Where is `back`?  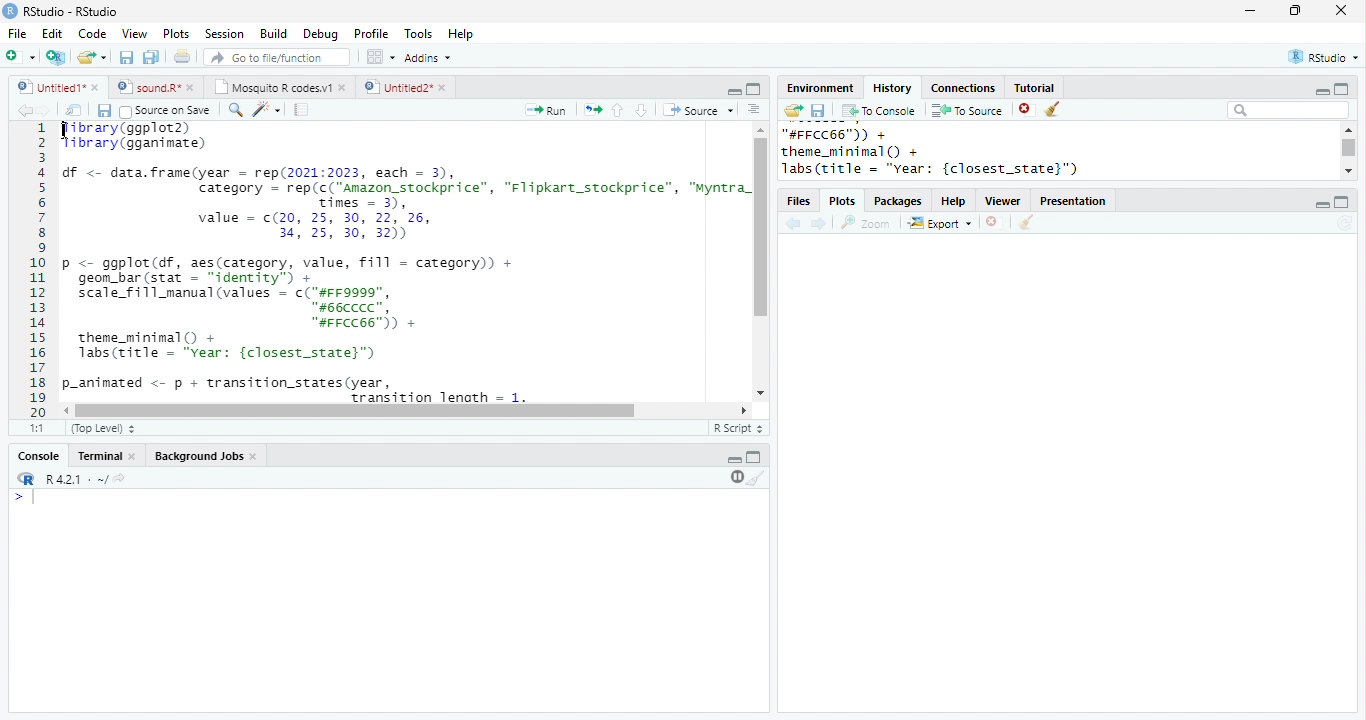 back is located at coordinates (793, 223).